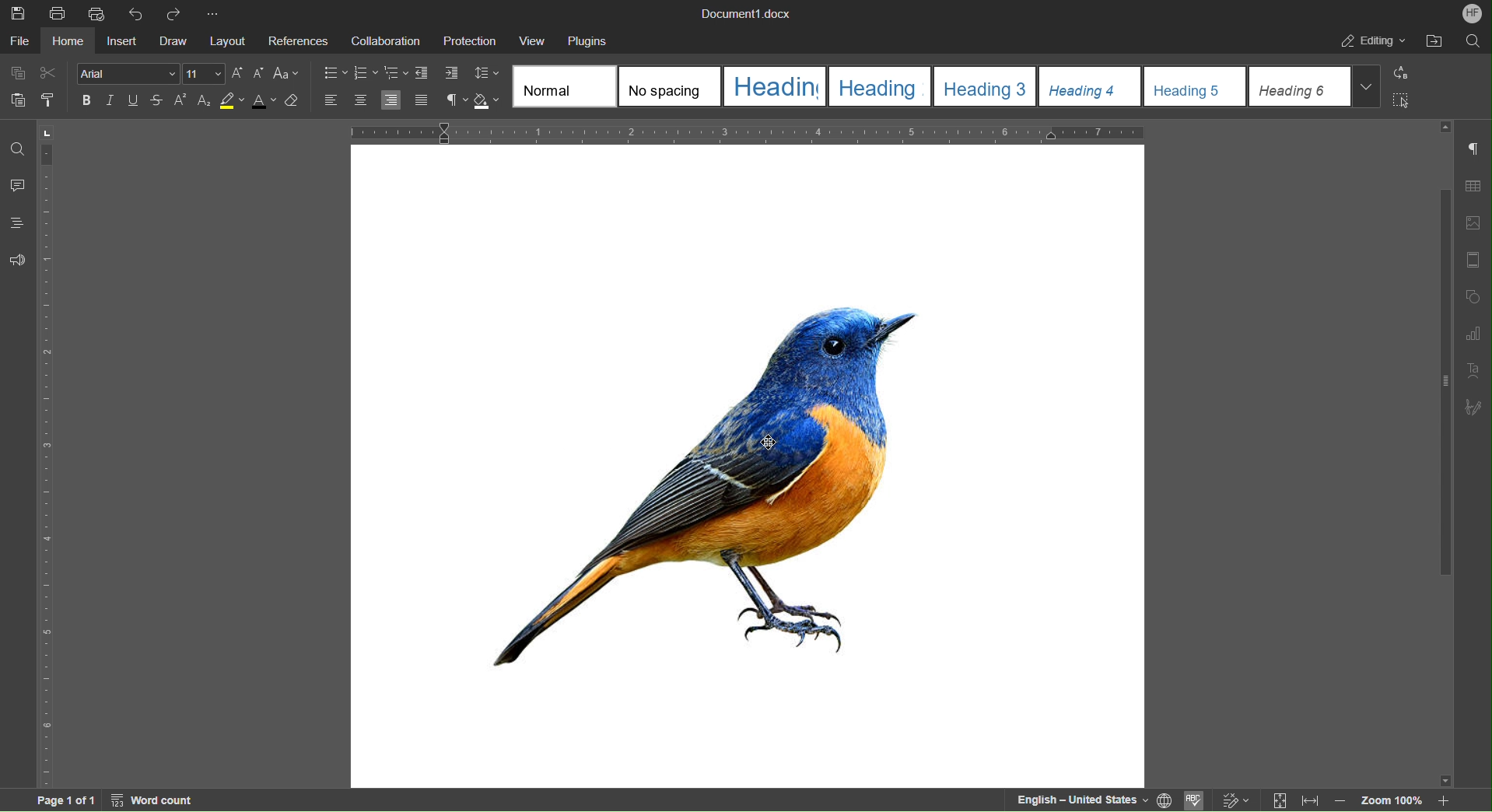  Describe the element at coordinates (469, 42) in the screenshot. I see `Protection` at that location.